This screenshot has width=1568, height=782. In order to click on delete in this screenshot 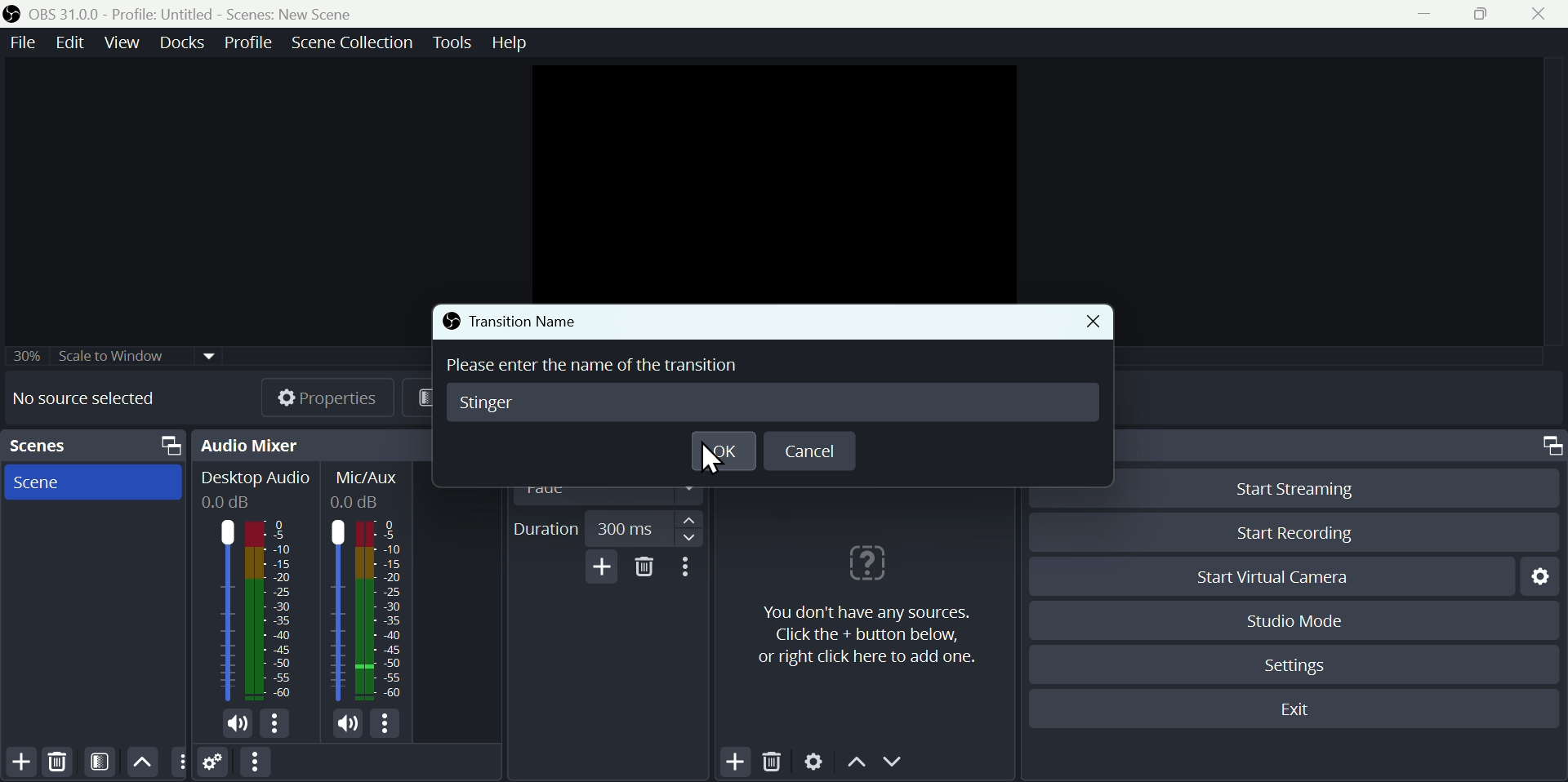, I will do `click(647, 566)`.